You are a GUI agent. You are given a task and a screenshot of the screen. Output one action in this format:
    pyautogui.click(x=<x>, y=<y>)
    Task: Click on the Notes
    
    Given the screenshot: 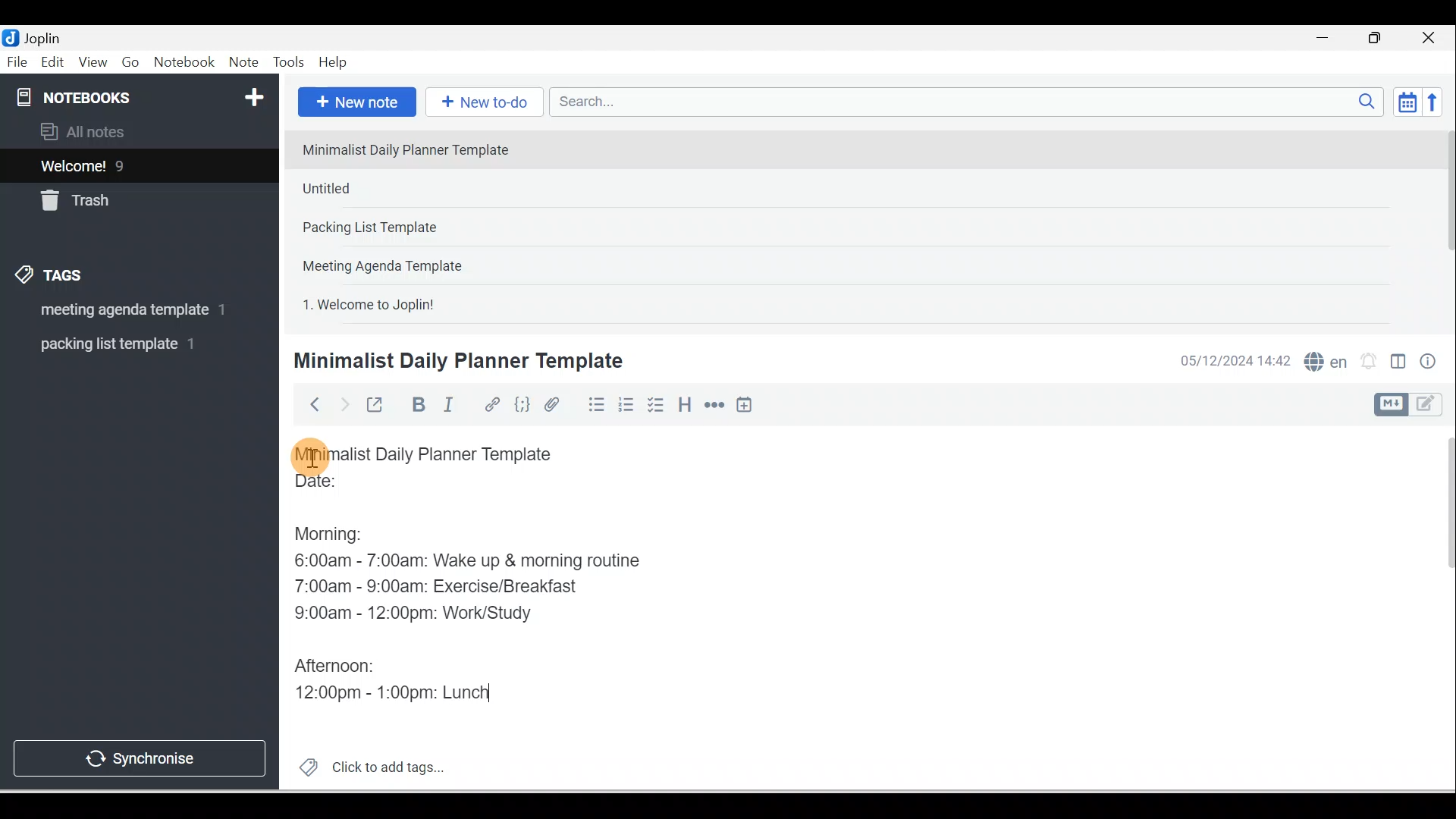 What is the action you would take?
    pyautogui.click(x=128, y=162)
    